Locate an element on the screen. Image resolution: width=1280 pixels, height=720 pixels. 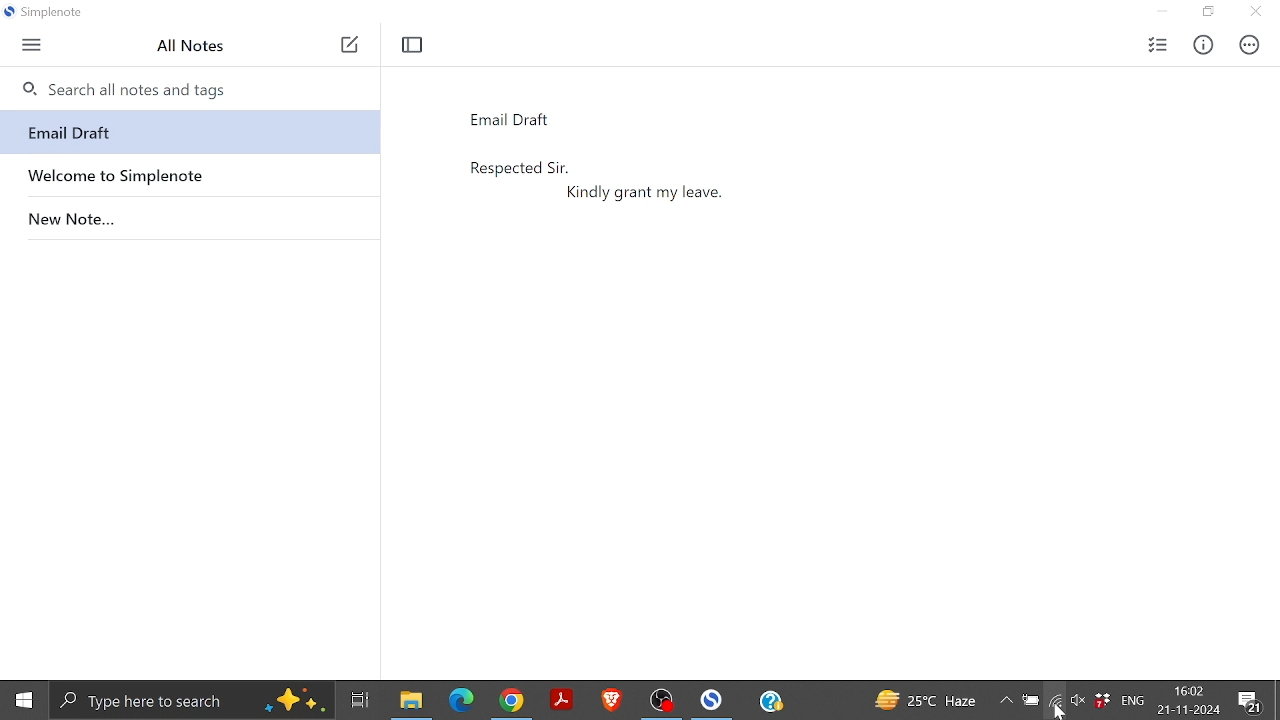
Speaker/Headphone is located at coordinates (1077, 704).